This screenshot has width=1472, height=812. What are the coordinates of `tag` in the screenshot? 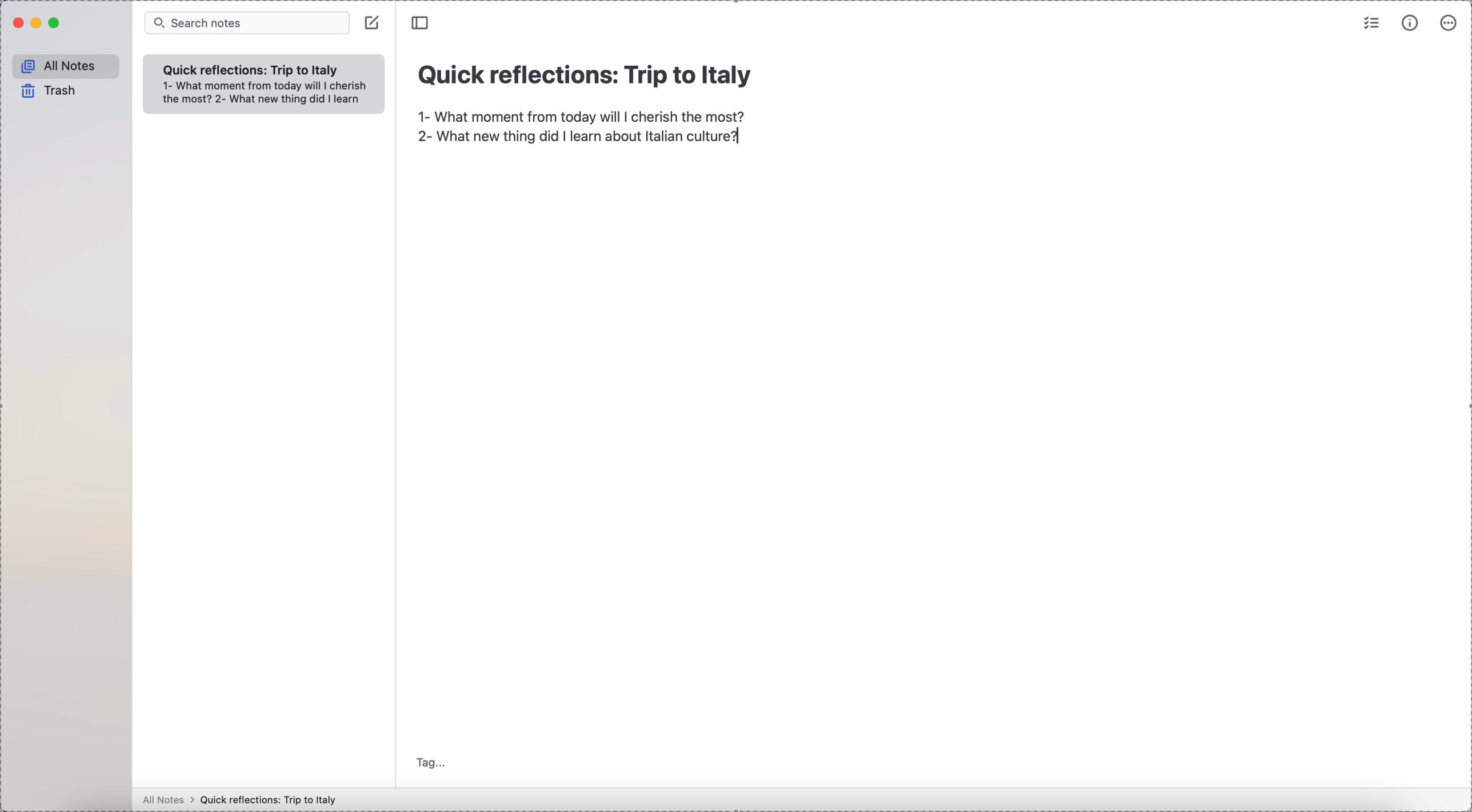 It's located at (431, 762).